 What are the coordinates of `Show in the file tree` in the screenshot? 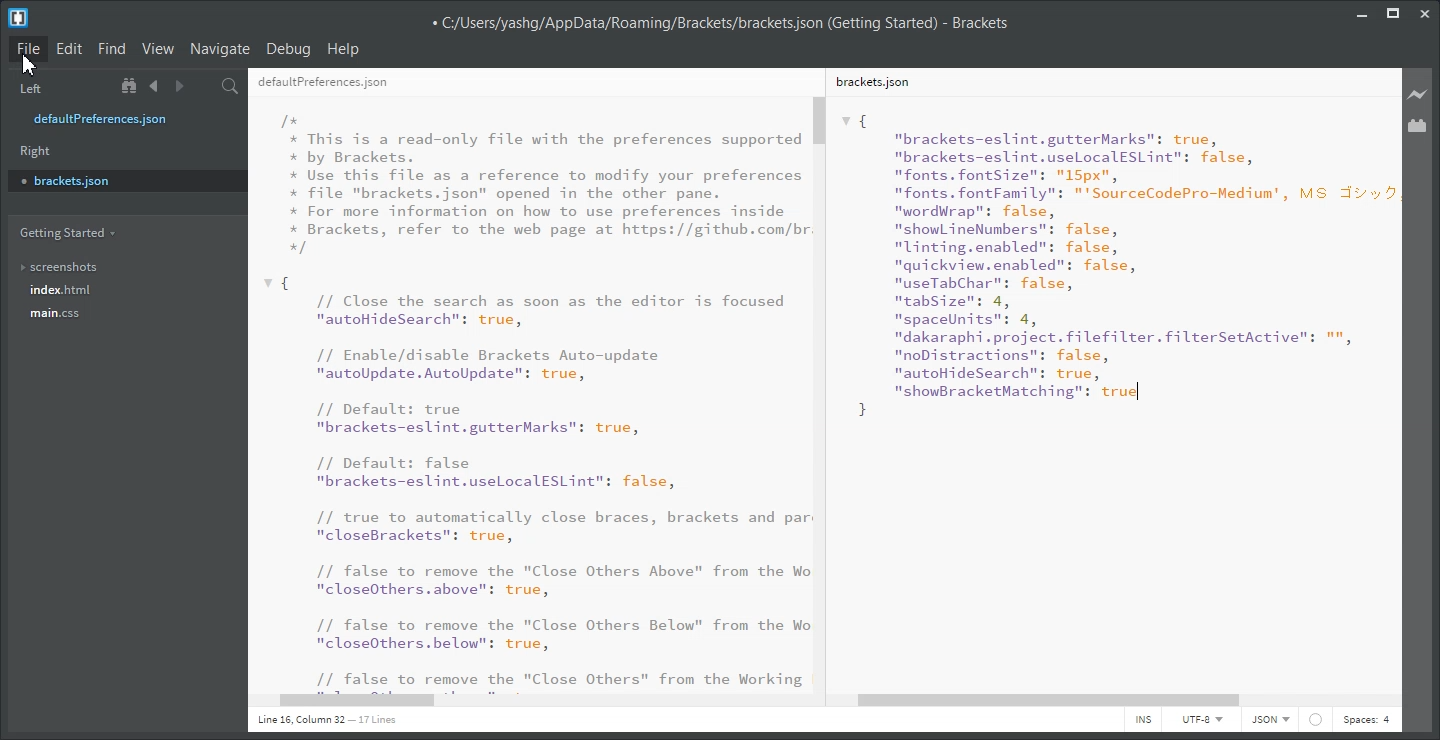 It's located at (131, 86).